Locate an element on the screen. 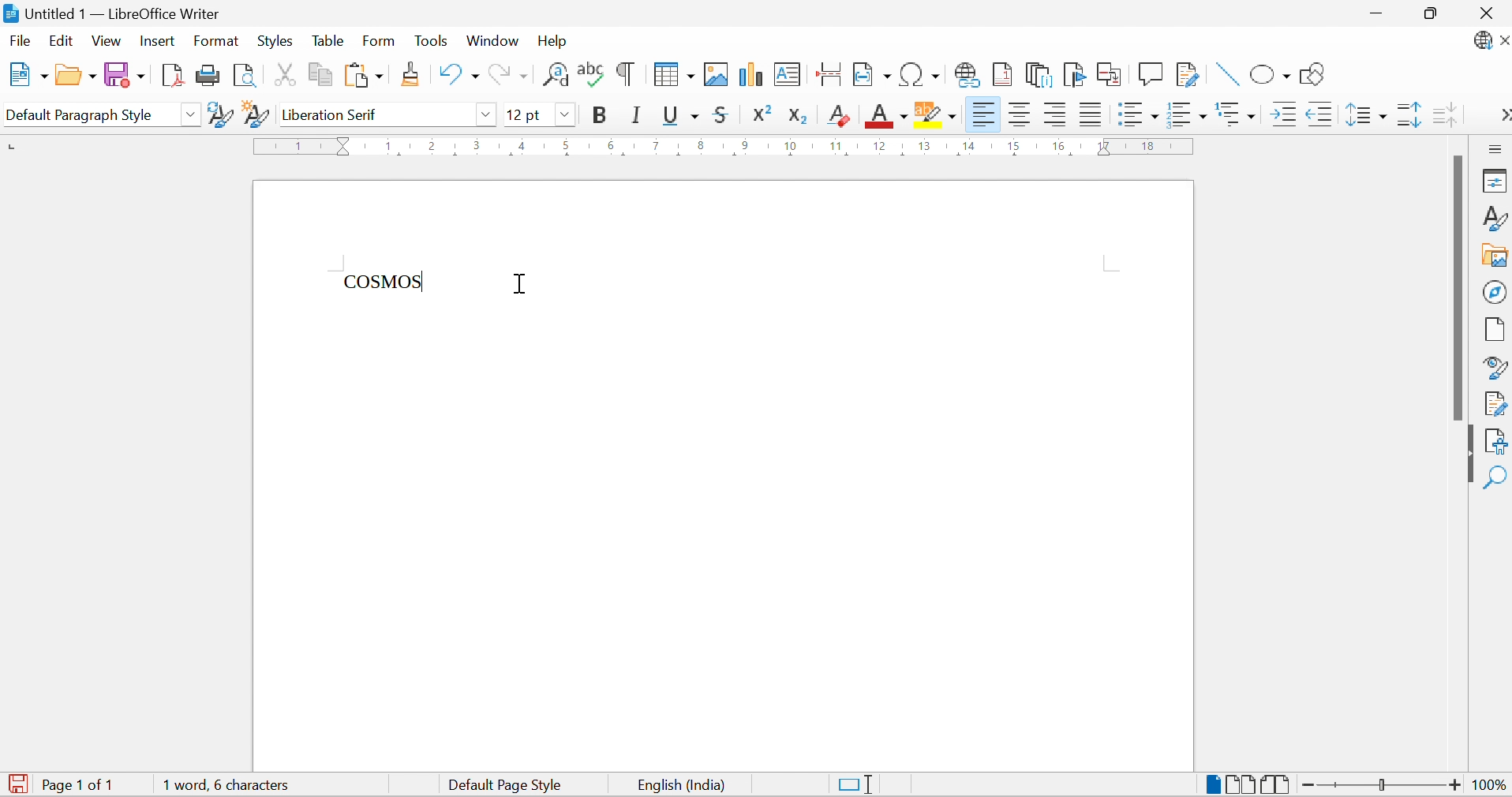  Toggle Unordered List is located at coordinates (1136, 112).